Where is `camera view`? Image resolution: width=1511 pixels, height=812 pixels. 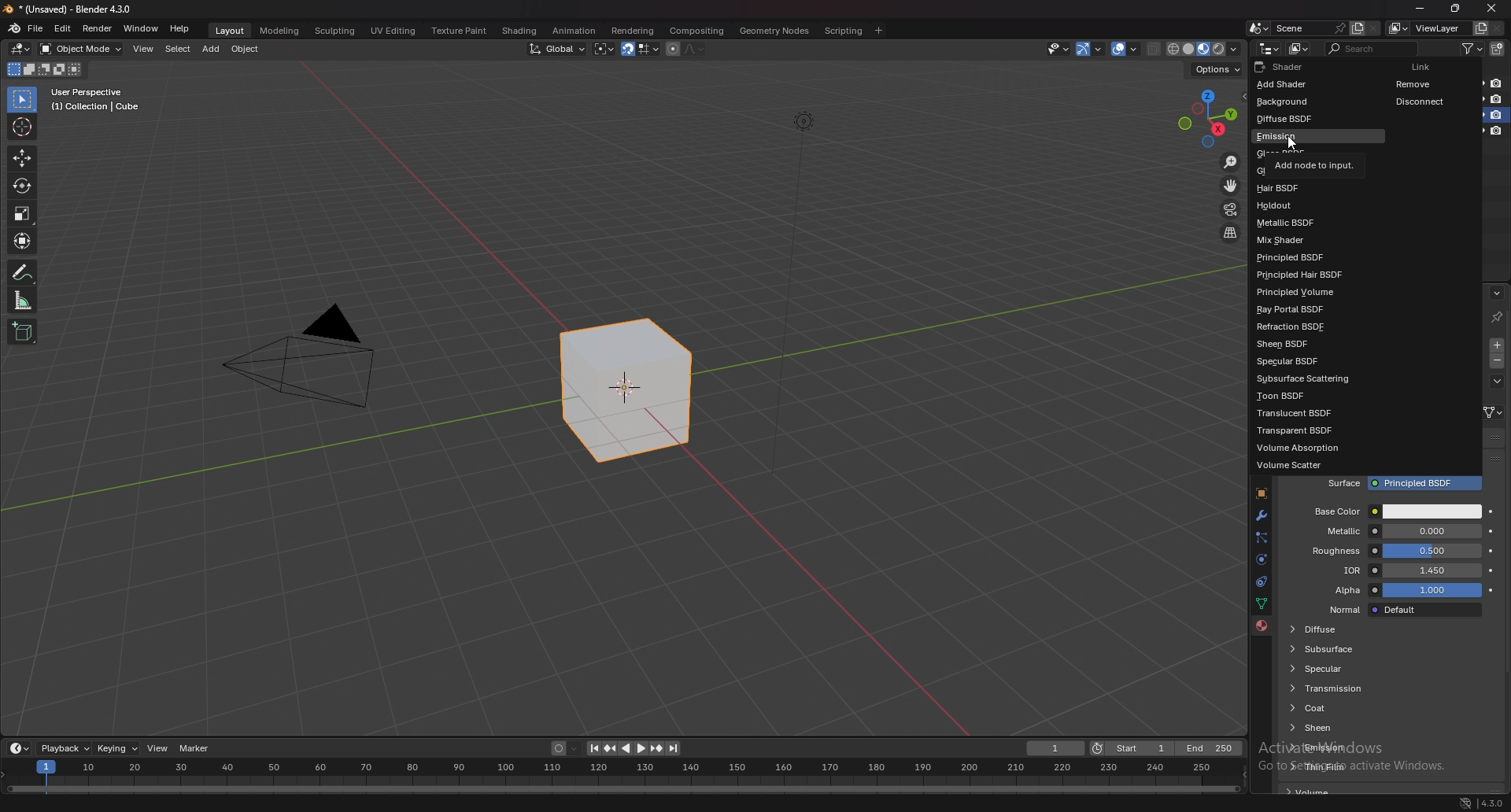
camera view is located at coordinates (1230, 210).